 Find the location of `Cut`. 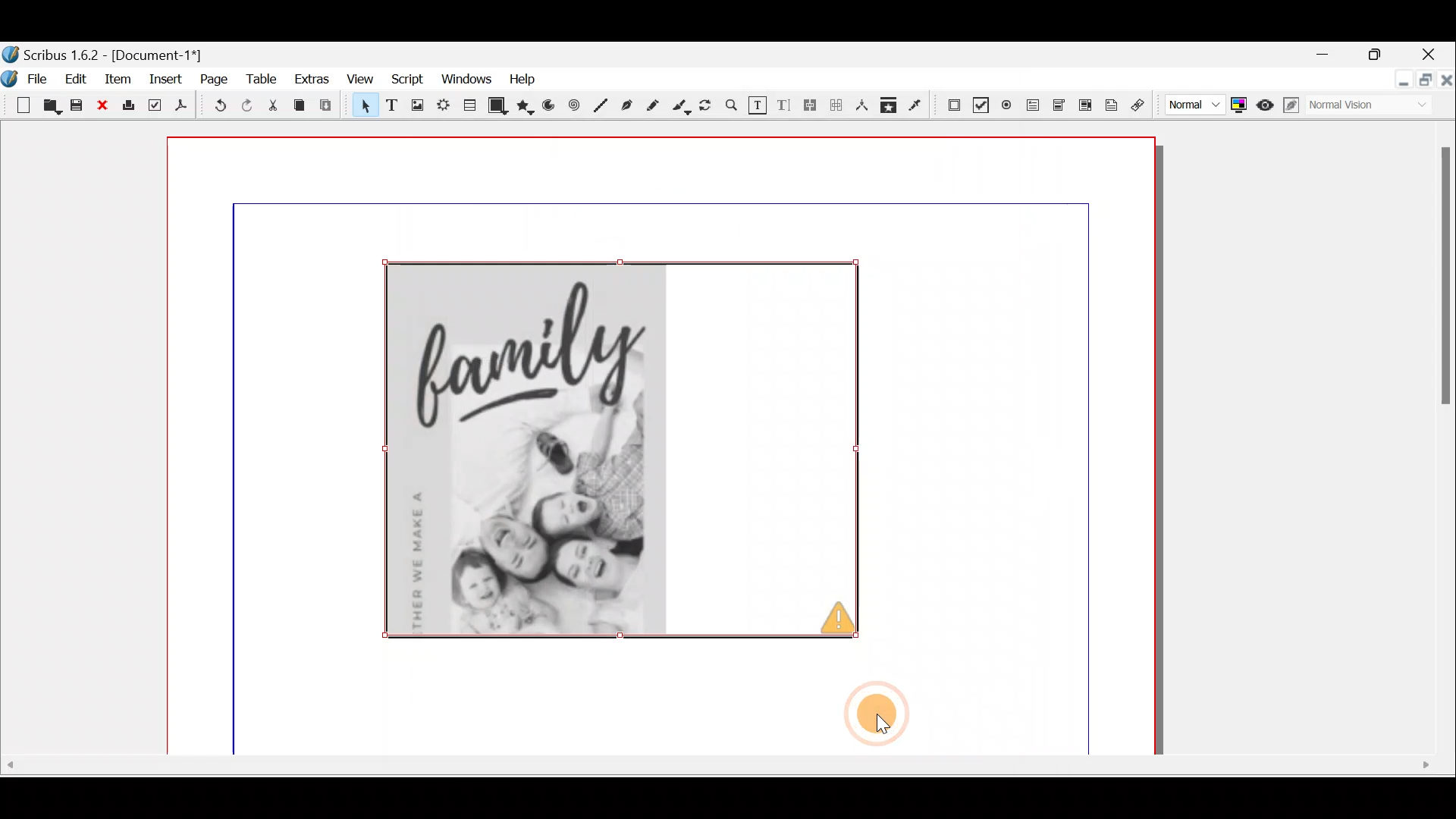

Cut is located at coordinates (274, 106).